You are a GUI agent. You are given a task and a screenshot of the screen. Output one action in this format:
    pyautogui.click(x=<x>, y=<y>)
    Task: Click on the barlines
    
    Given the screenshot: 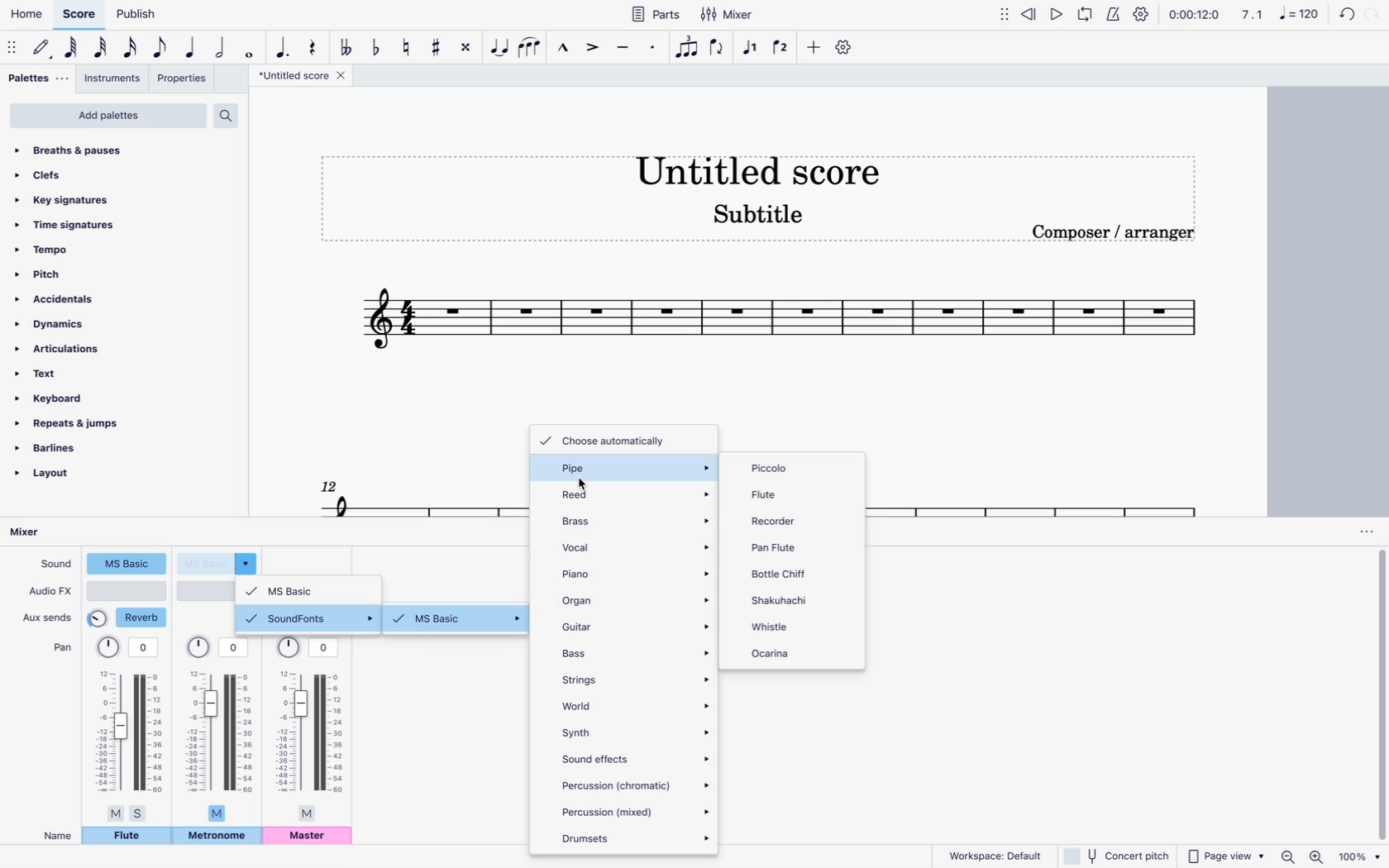 What is the action you would take?
    pyautogui.click(x=79, y=447)
    